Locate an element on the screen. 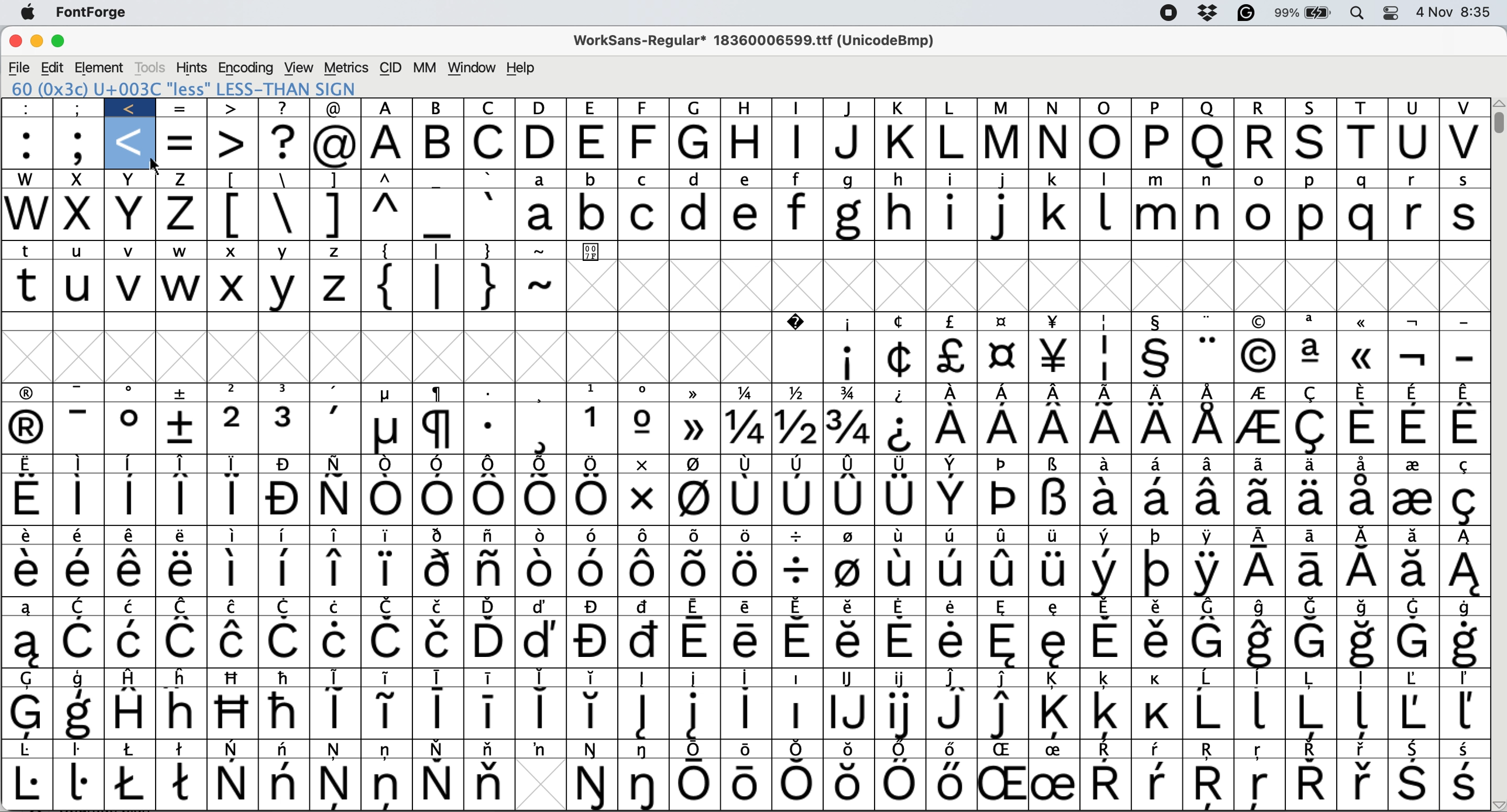 The image size is (1507, 812). Symbol is located at coordinates (333, 570).